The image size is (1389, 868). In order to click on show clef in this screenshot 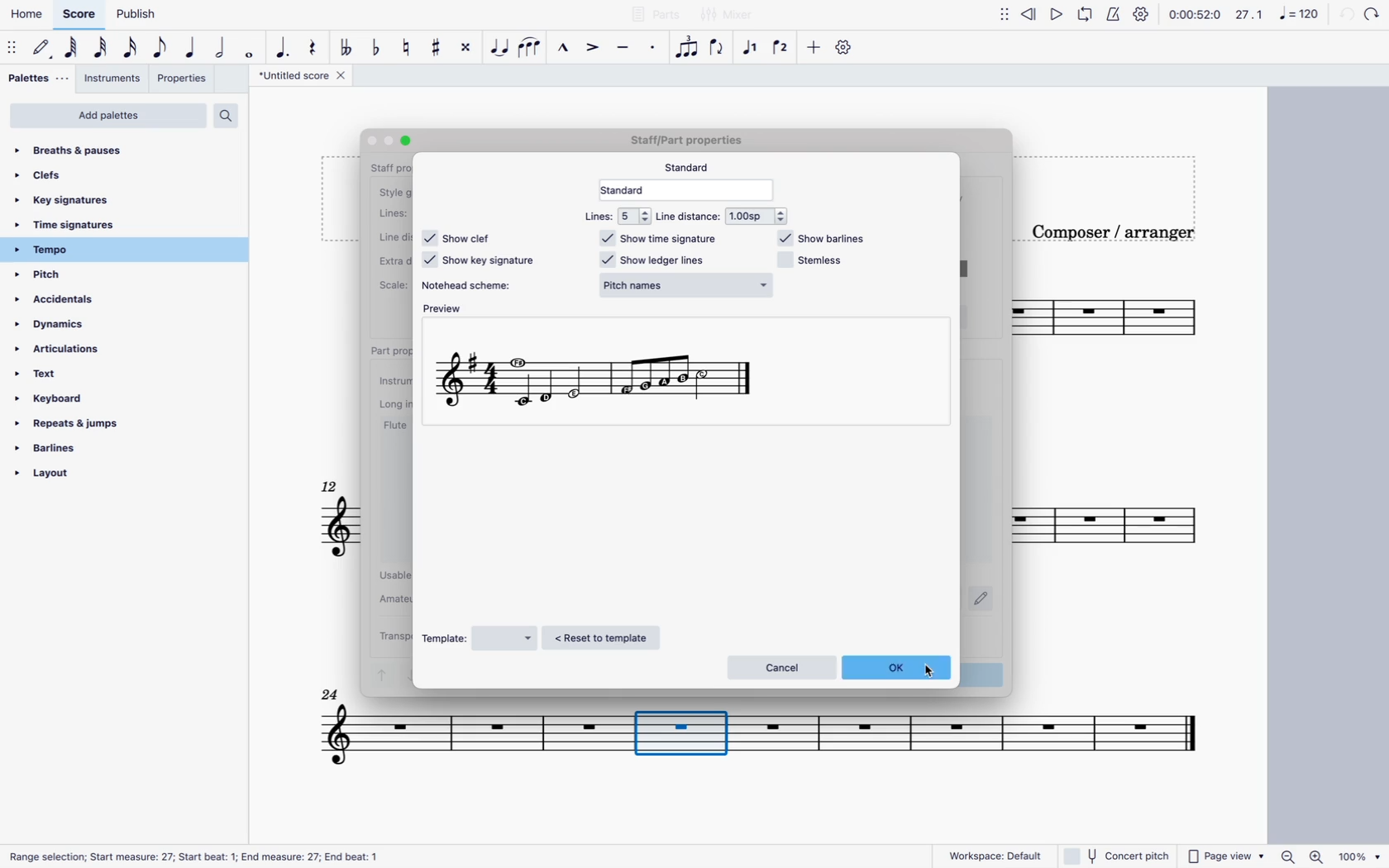, I will do `click(460, 237)`.